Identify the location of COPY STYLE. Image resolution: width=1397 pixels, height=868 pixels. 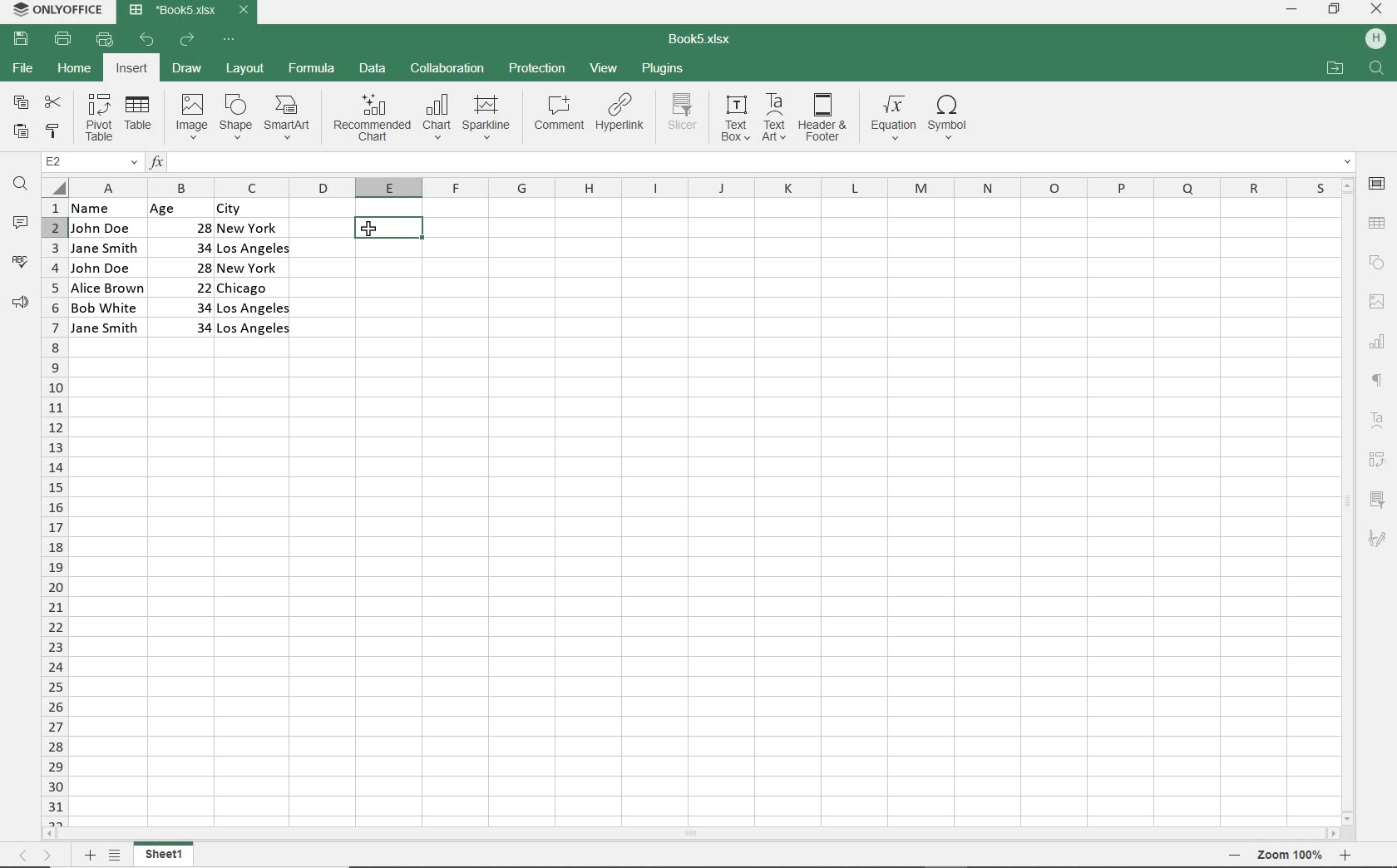
(53, 132).